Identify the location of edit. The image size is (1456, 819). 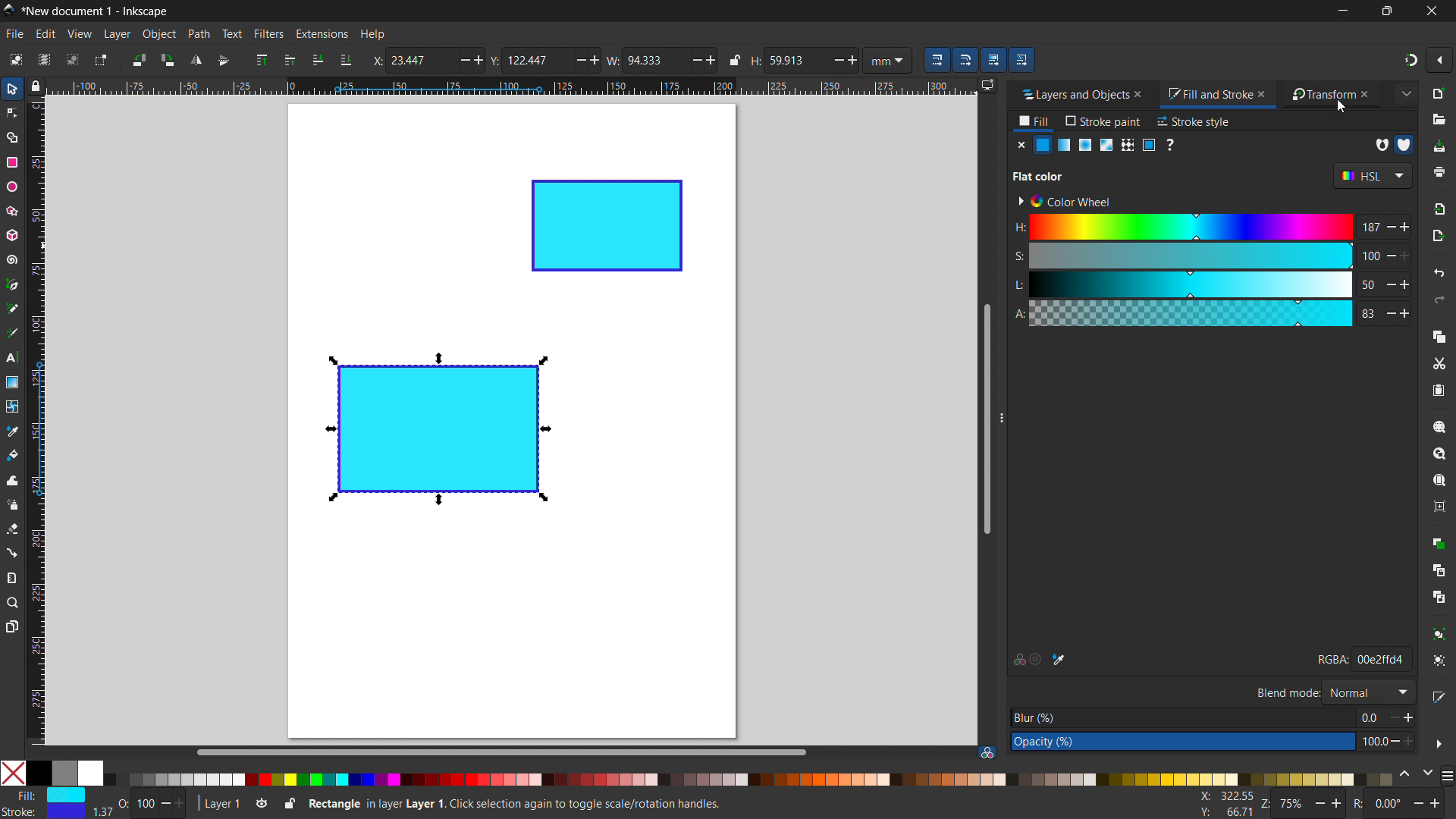
(45, 34).